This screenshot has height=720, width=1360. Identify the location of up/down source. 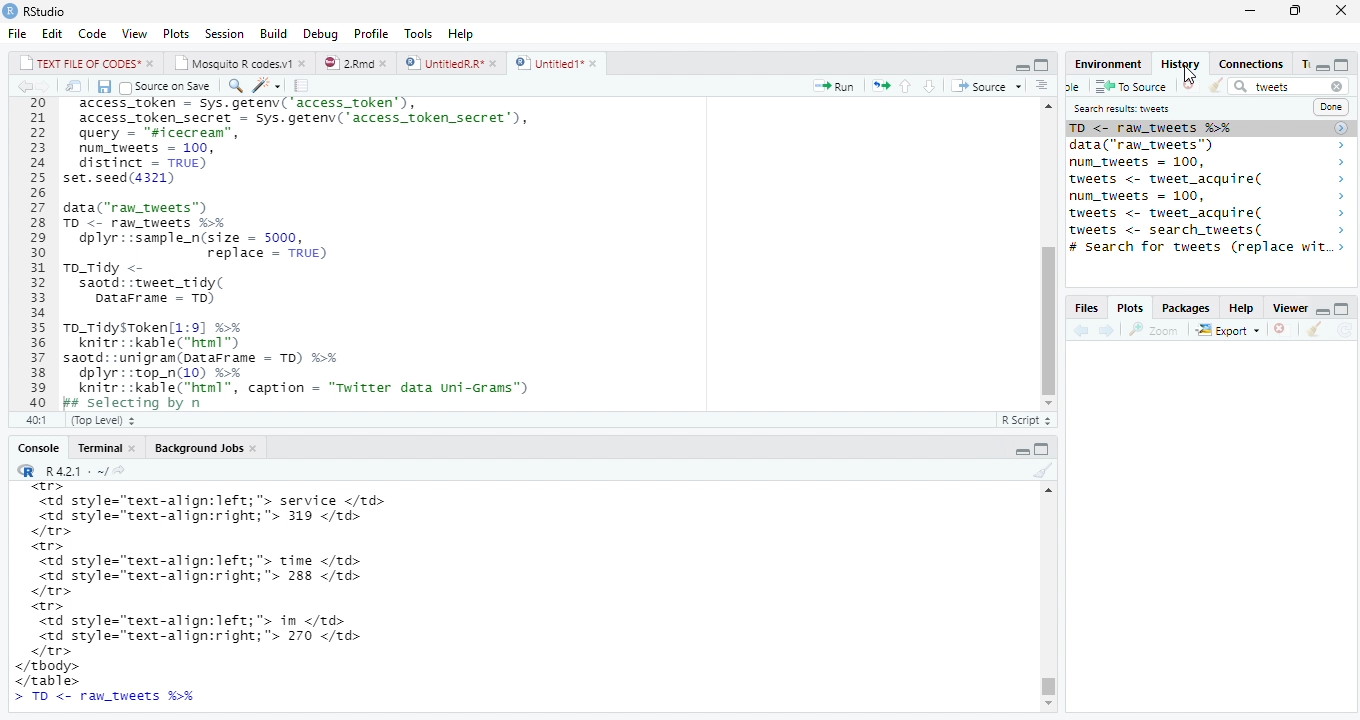
(929, 85).